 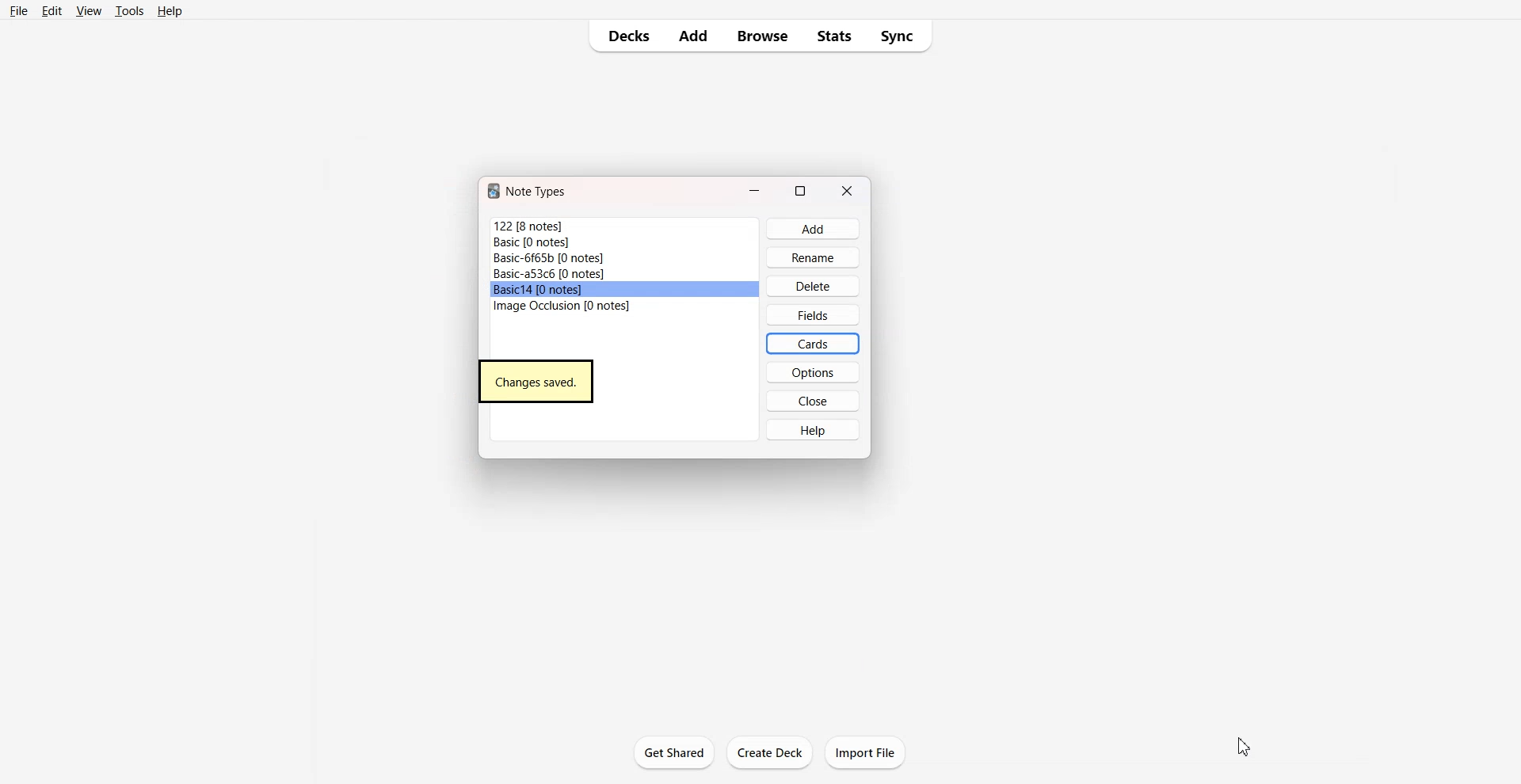 I want to click on File, so click(x=625, y=274).